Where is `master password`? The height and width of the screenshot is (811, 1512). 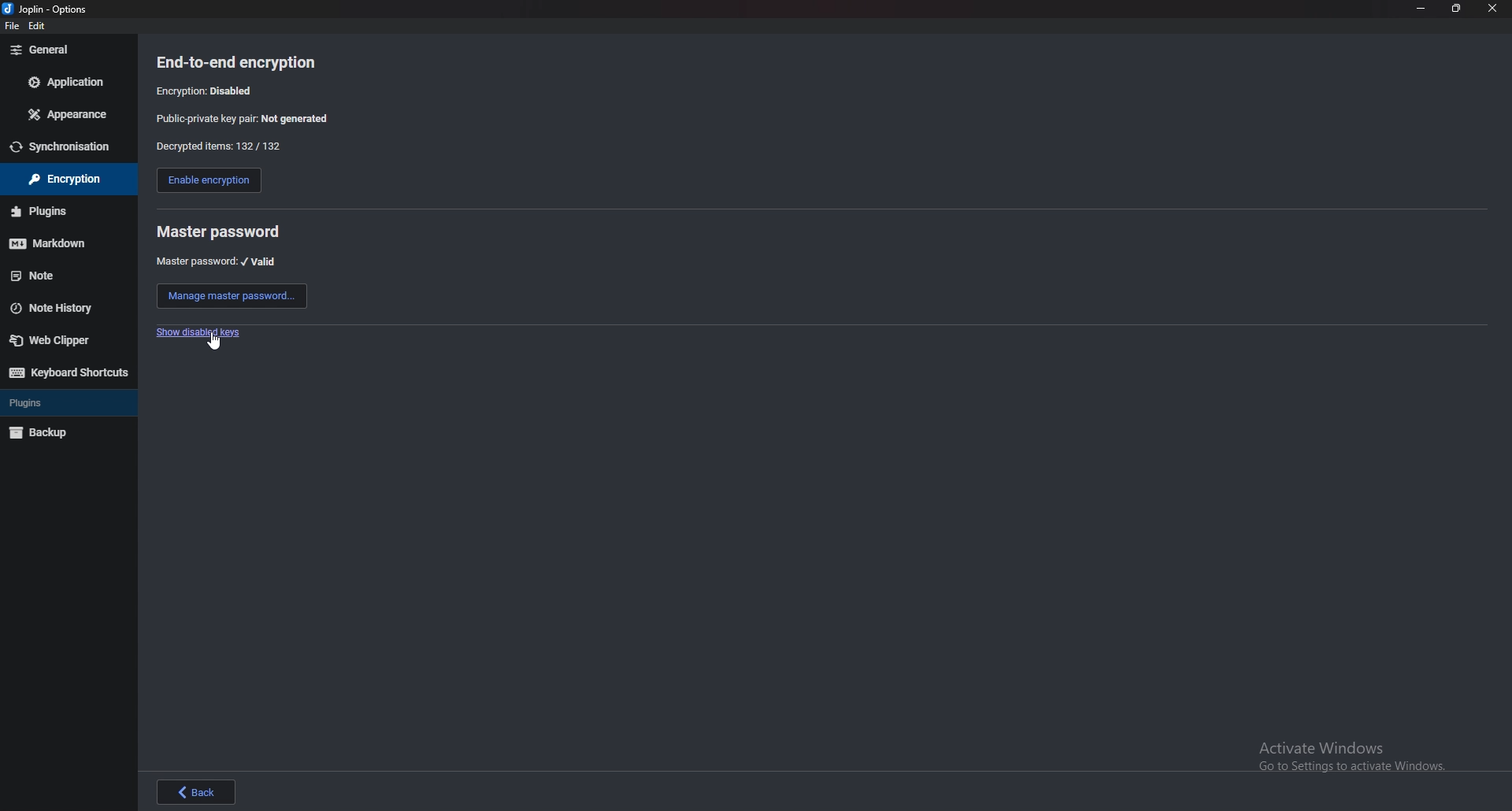 master password is located at coordinates (217, 263).